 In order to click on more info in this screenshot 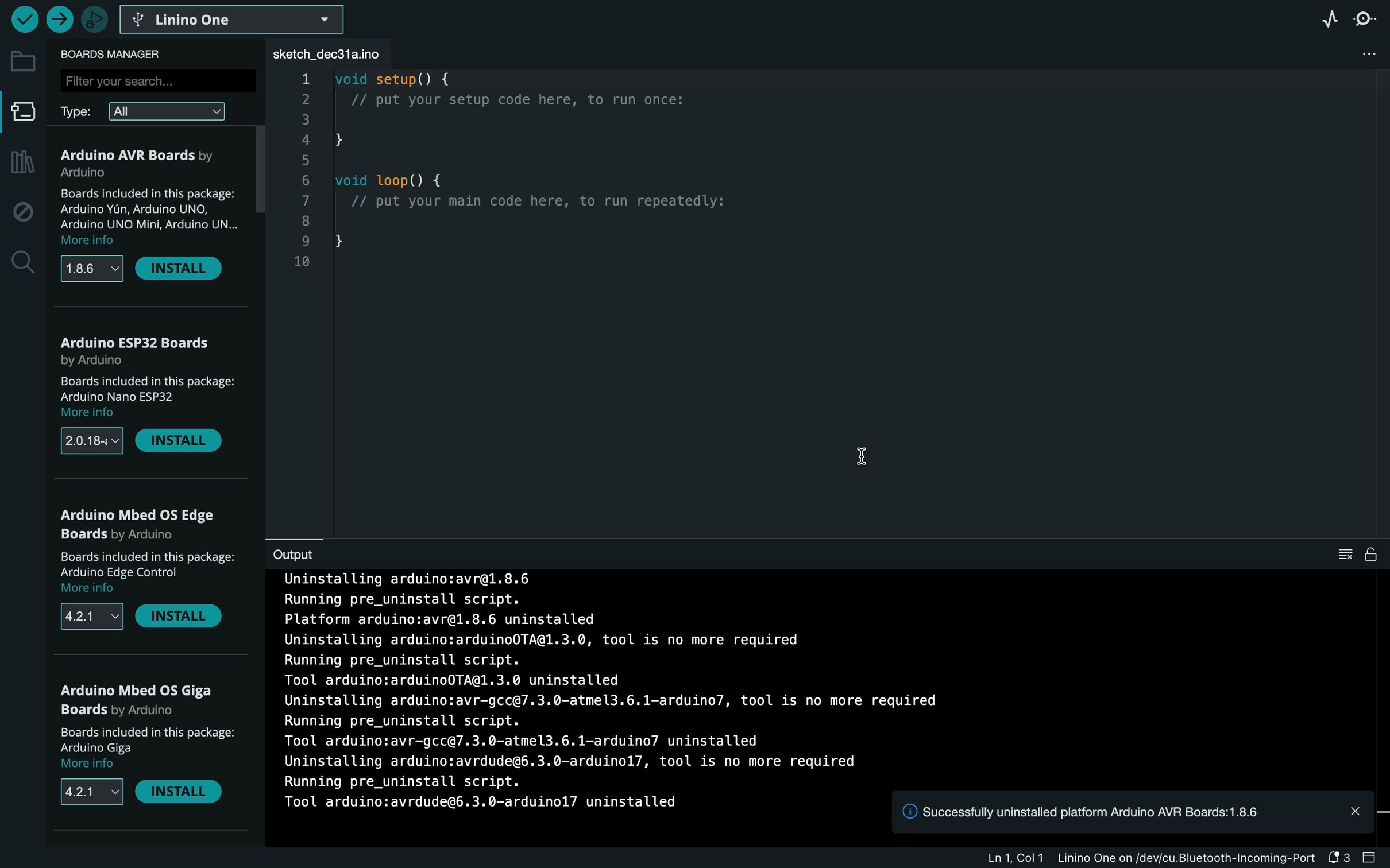, I will do `click(102, 412)`.